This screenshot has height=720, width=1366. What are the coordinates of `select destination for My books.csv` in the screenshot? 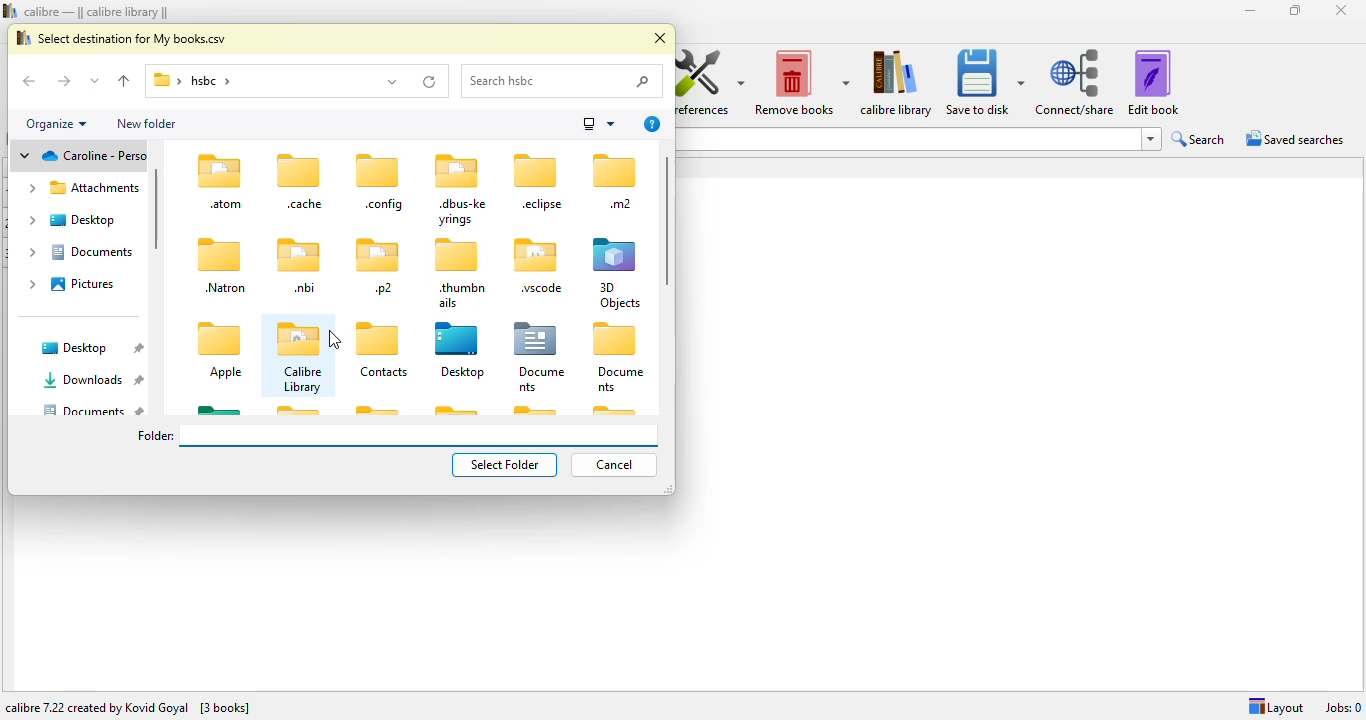 It's located at (122, 36).